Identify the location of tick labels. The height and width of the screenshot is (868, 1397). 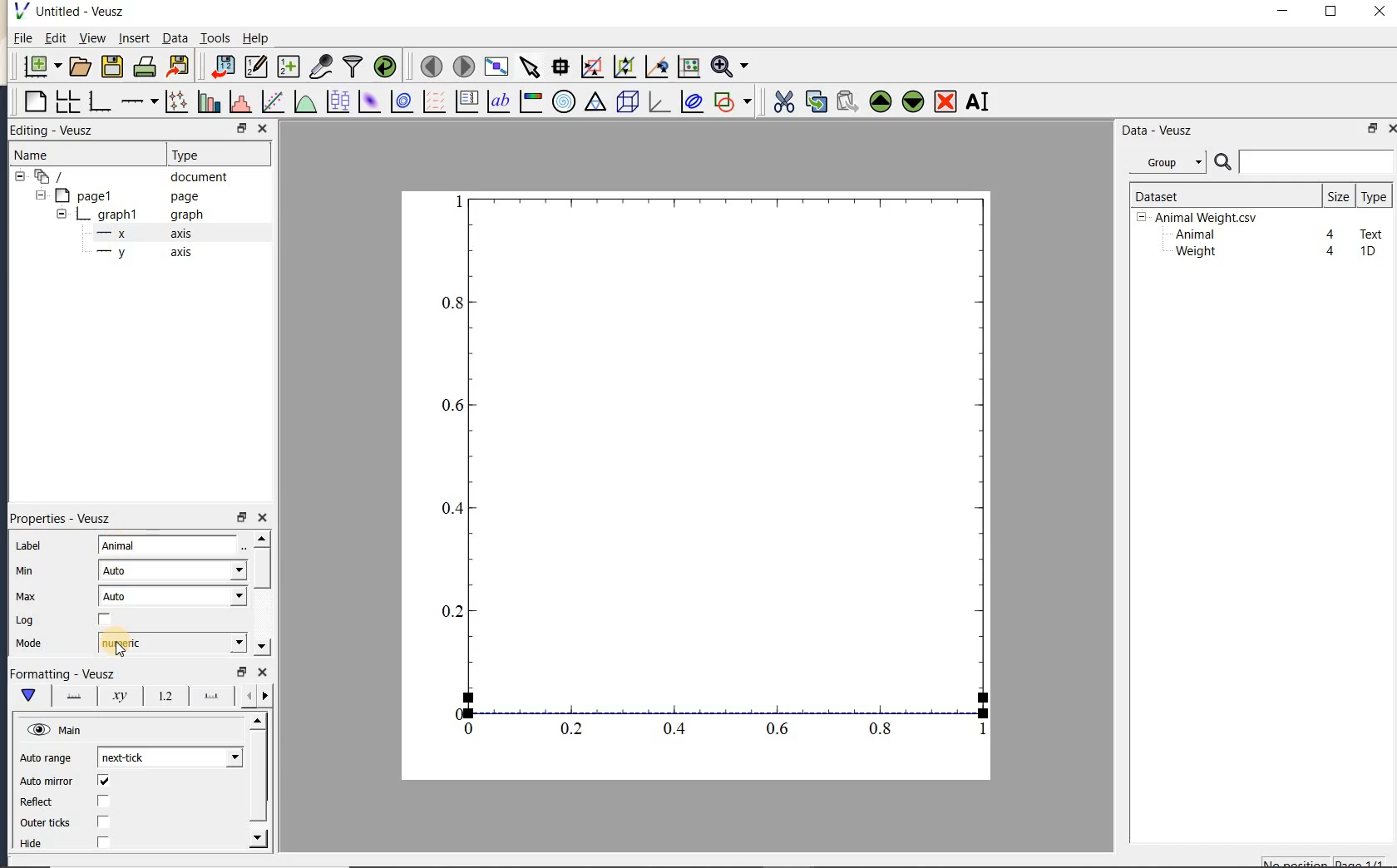
(162, 695).